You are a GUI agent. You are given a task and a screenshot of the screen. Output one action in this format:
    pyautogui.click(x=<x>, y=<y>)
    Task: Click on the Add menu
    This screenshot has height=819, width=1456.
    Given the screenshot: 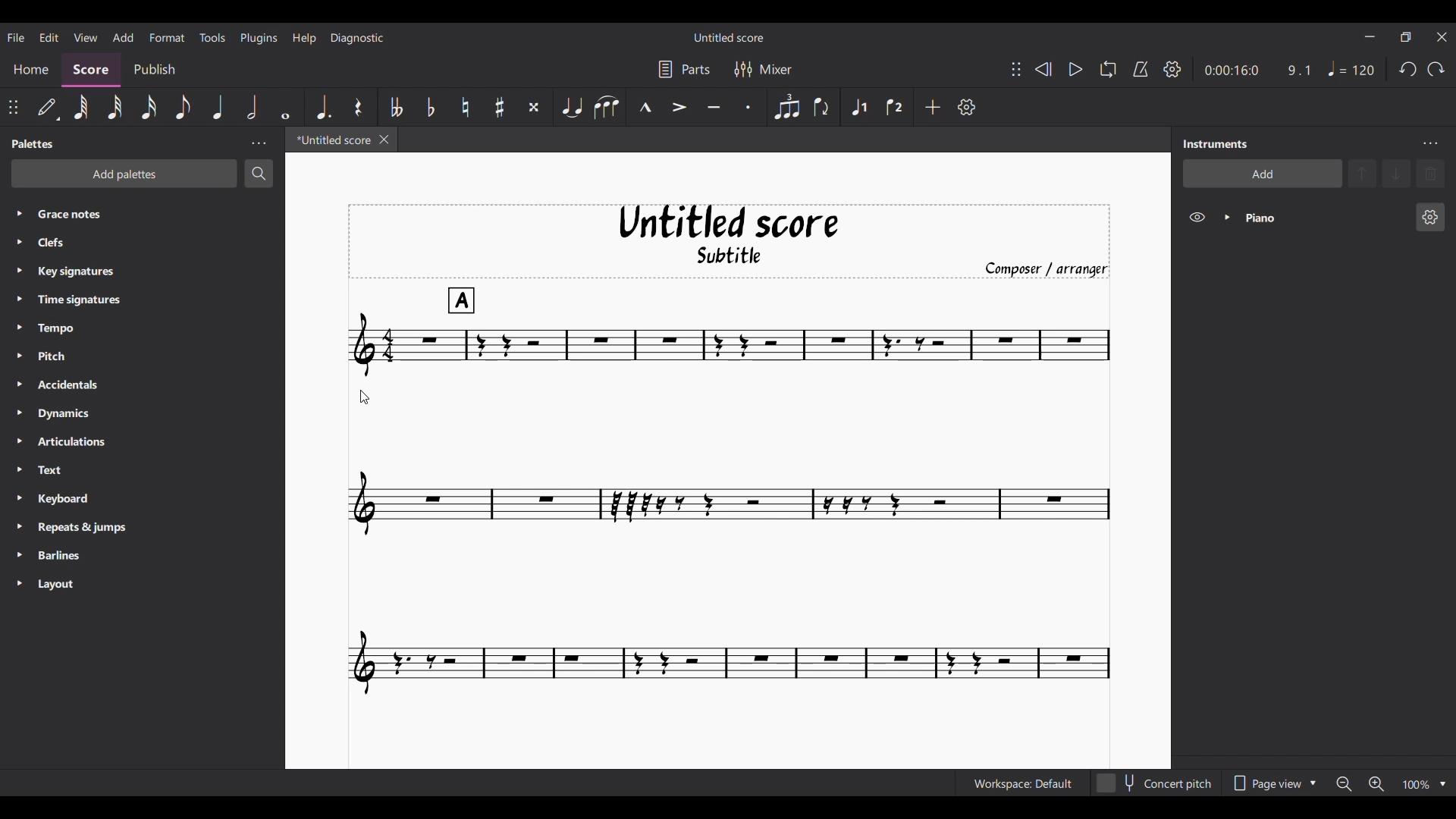 What is the action you would take?
    pyautogui.click(x=123, y=37)
    